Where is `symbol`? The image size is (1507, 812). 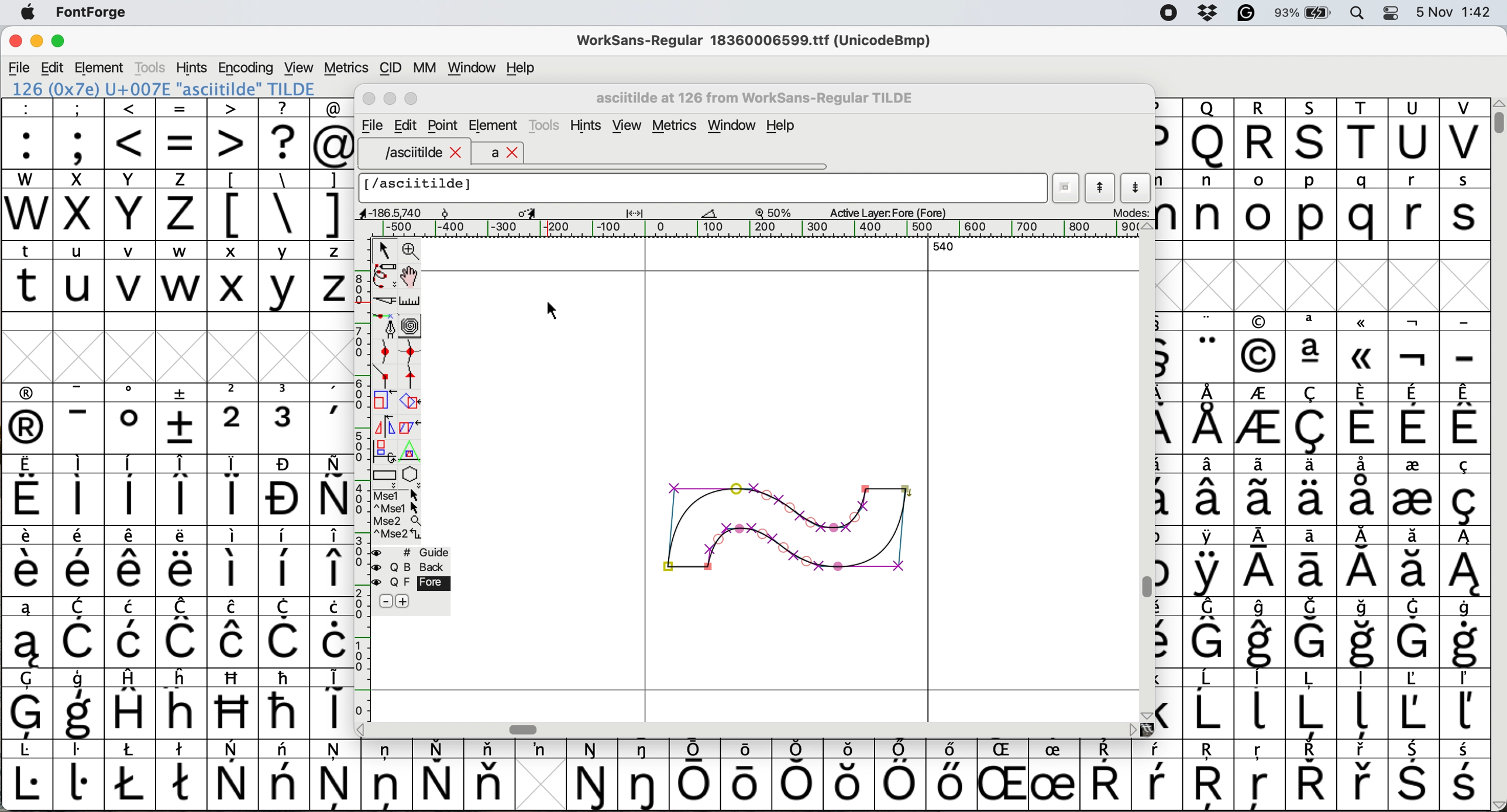
symbol is located at coordinates (25, 633).